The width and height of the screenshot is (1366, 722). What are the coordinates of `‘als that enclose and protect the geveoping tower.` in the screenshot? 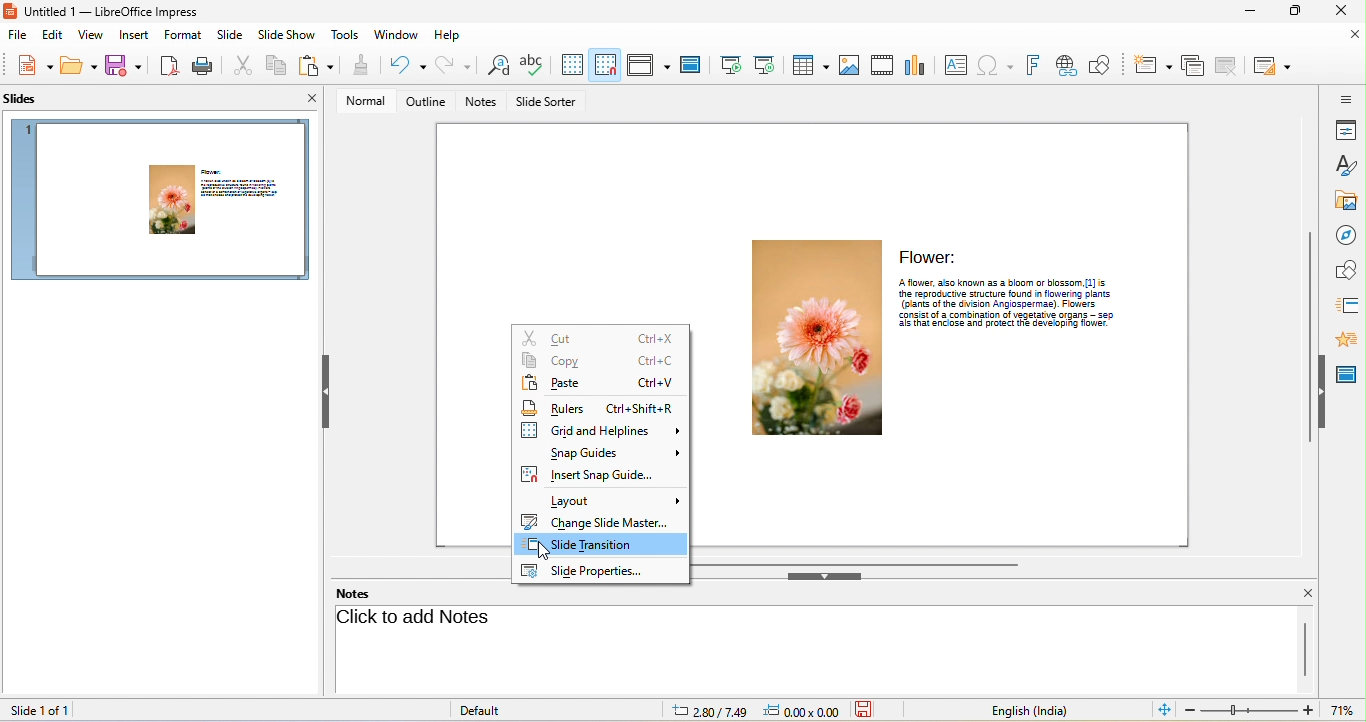 It's located at (1002, 326).